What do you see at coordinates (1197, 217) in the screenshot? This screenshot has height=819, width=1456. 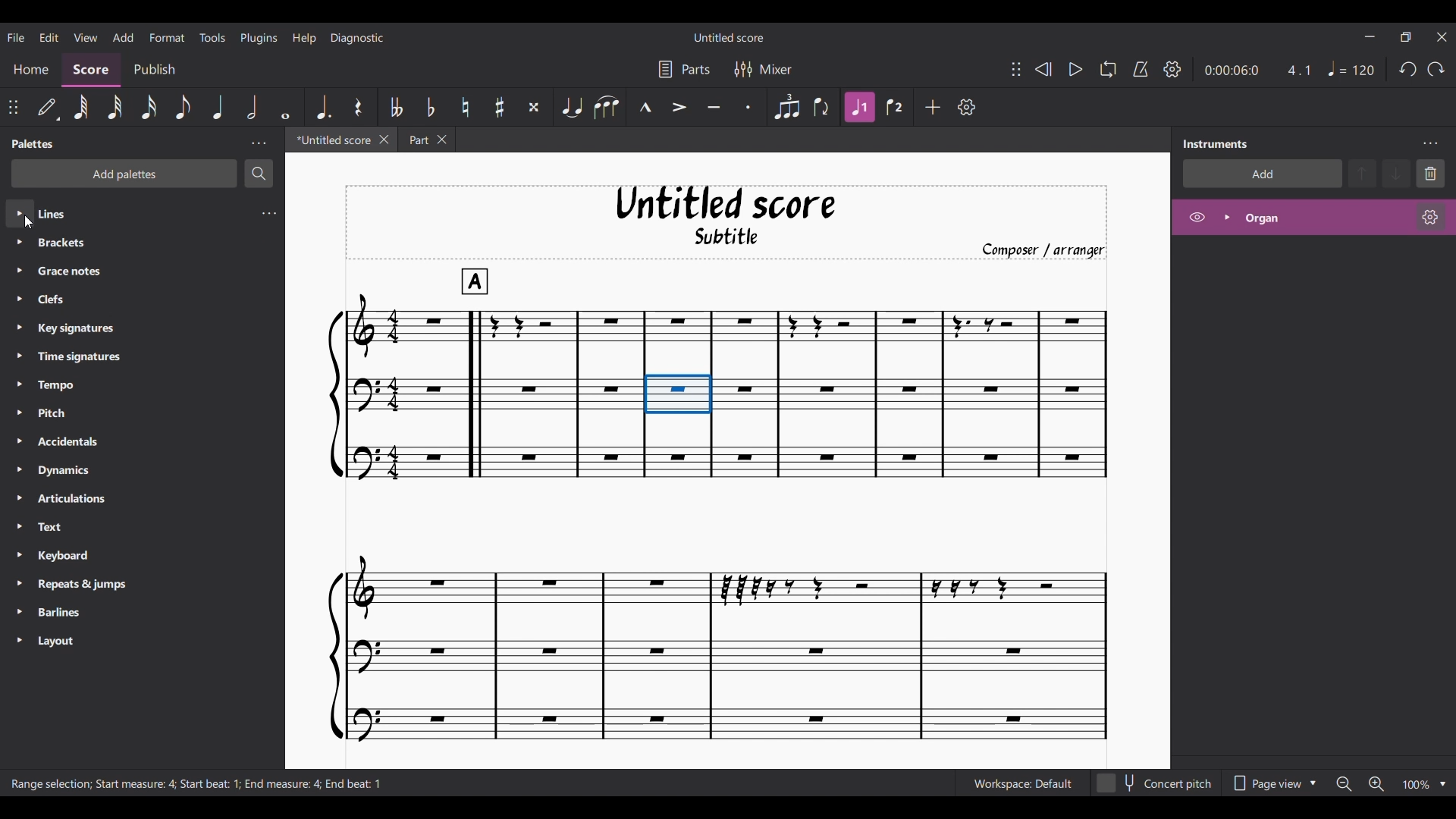 I see `Hide organ` at bounding box center [1197, 217].